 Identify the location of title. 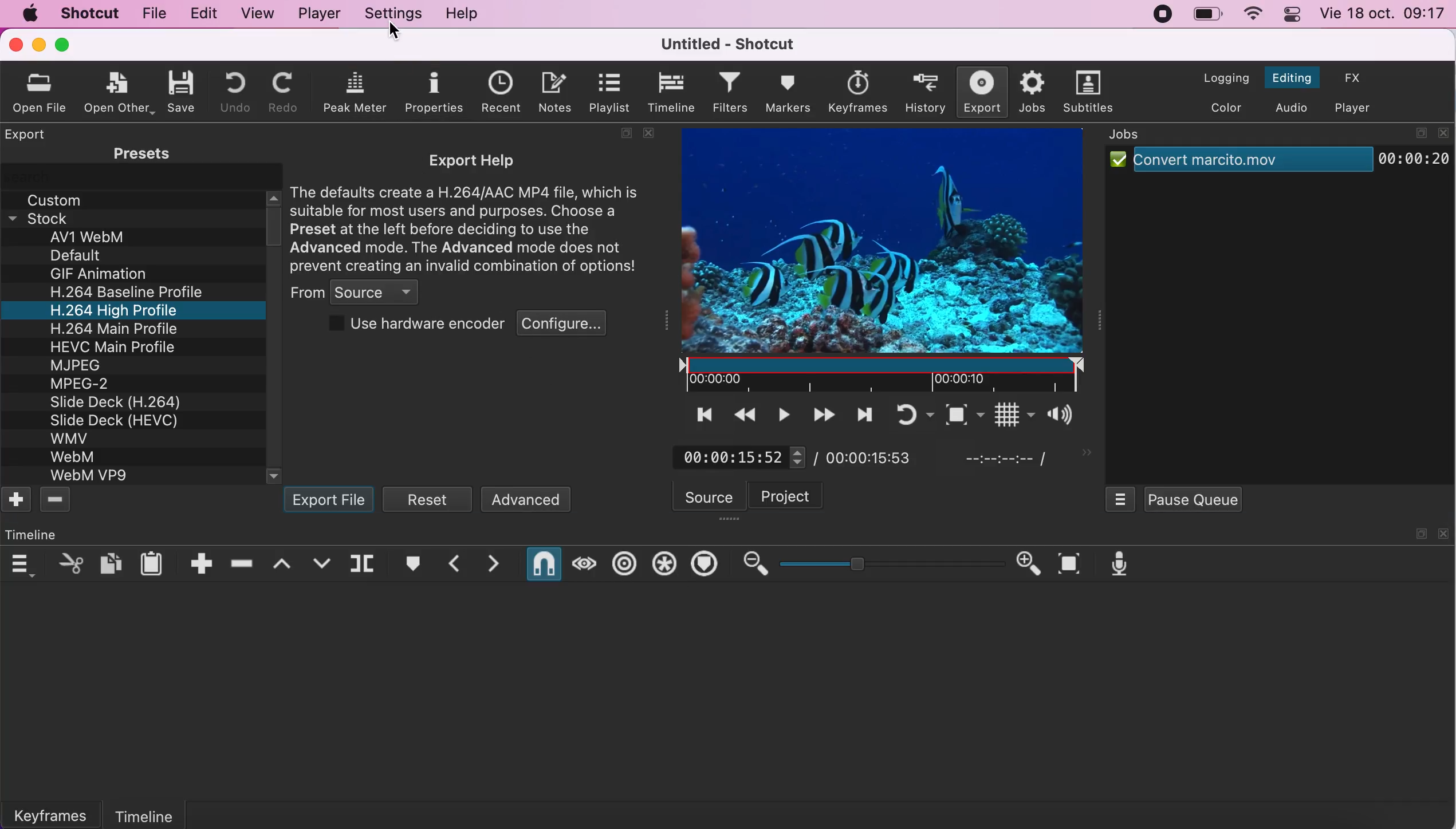
(723, 44).